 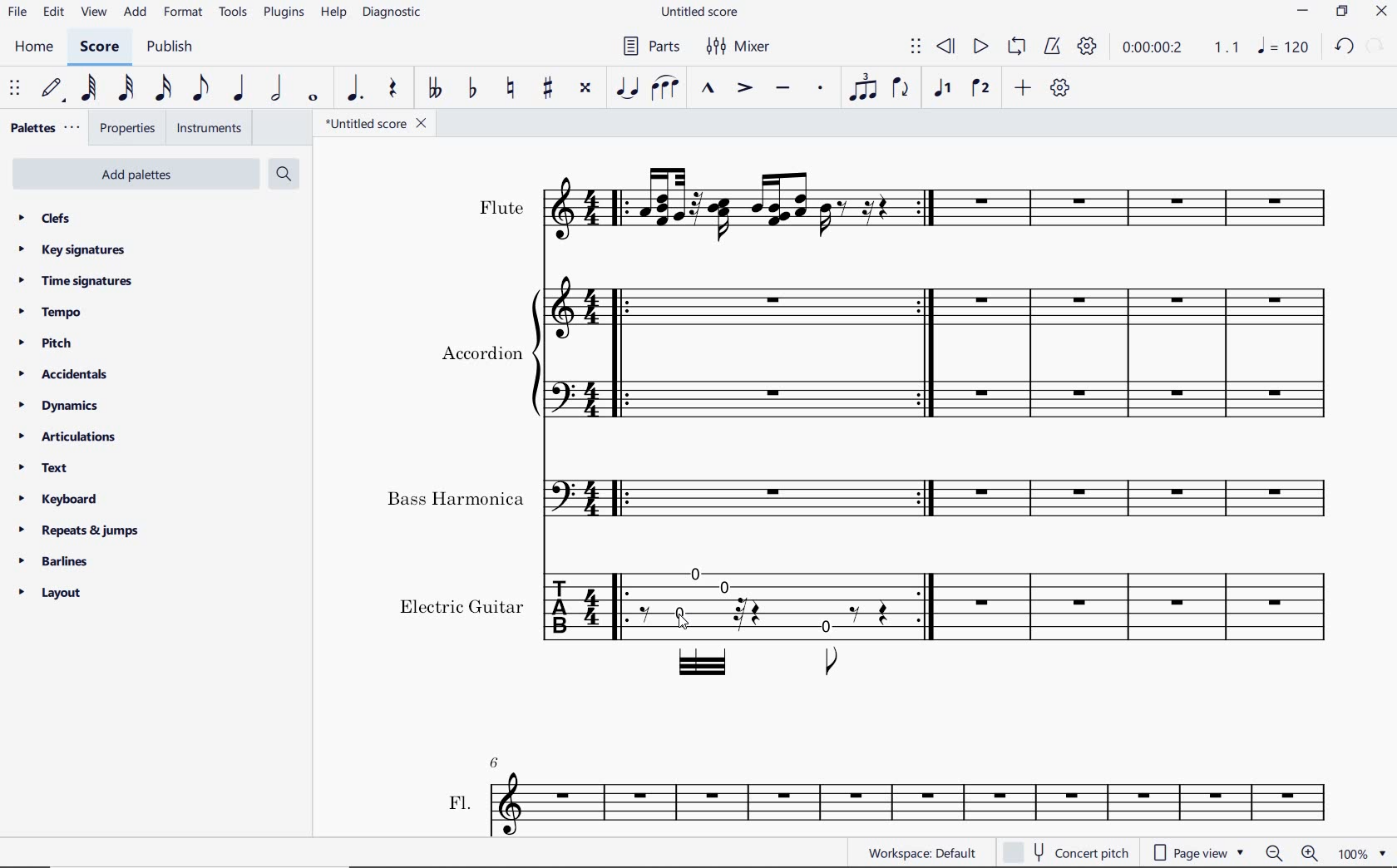 I want to click on close, so click(x=1382, y=12).